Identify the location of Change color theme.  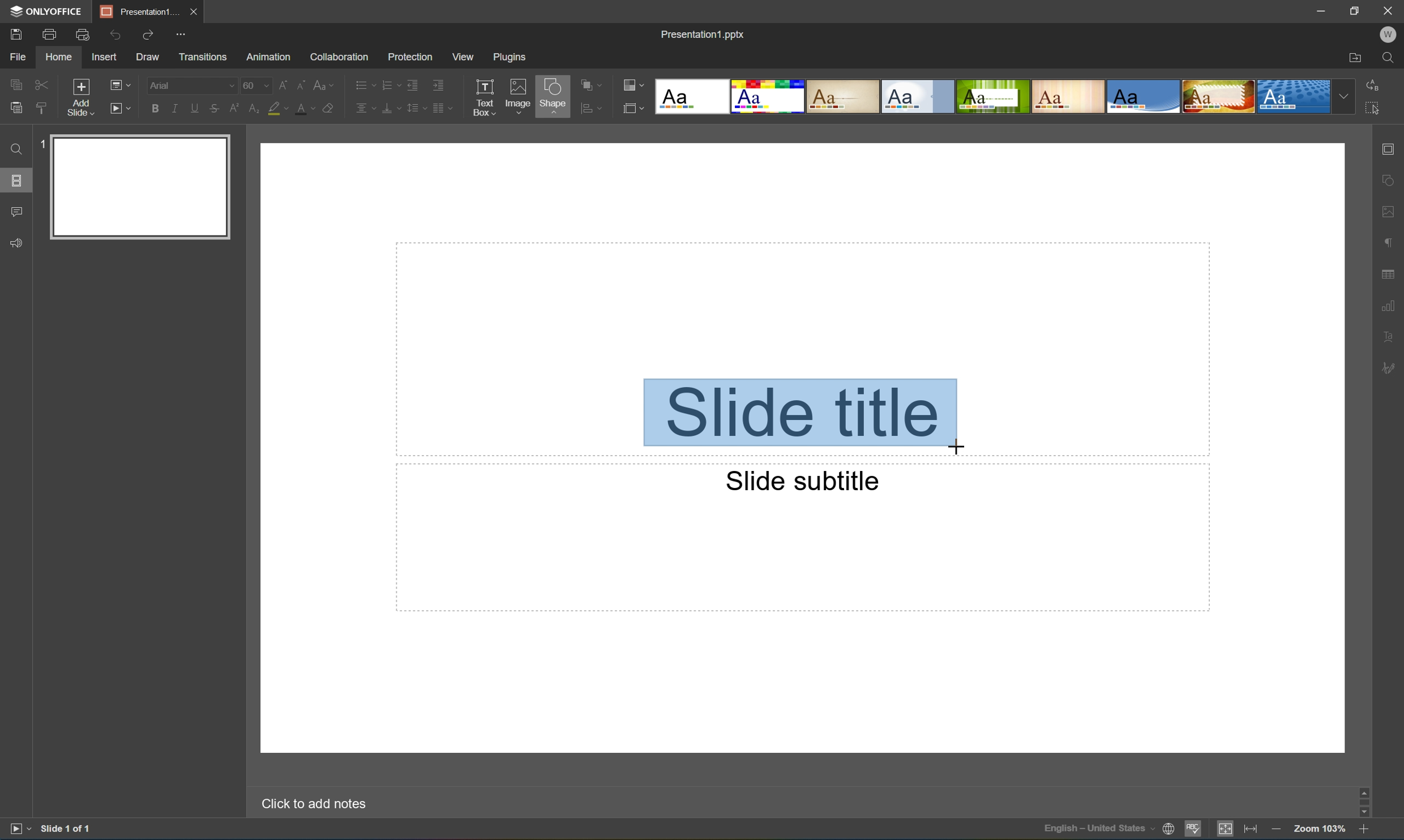
(633, 85).